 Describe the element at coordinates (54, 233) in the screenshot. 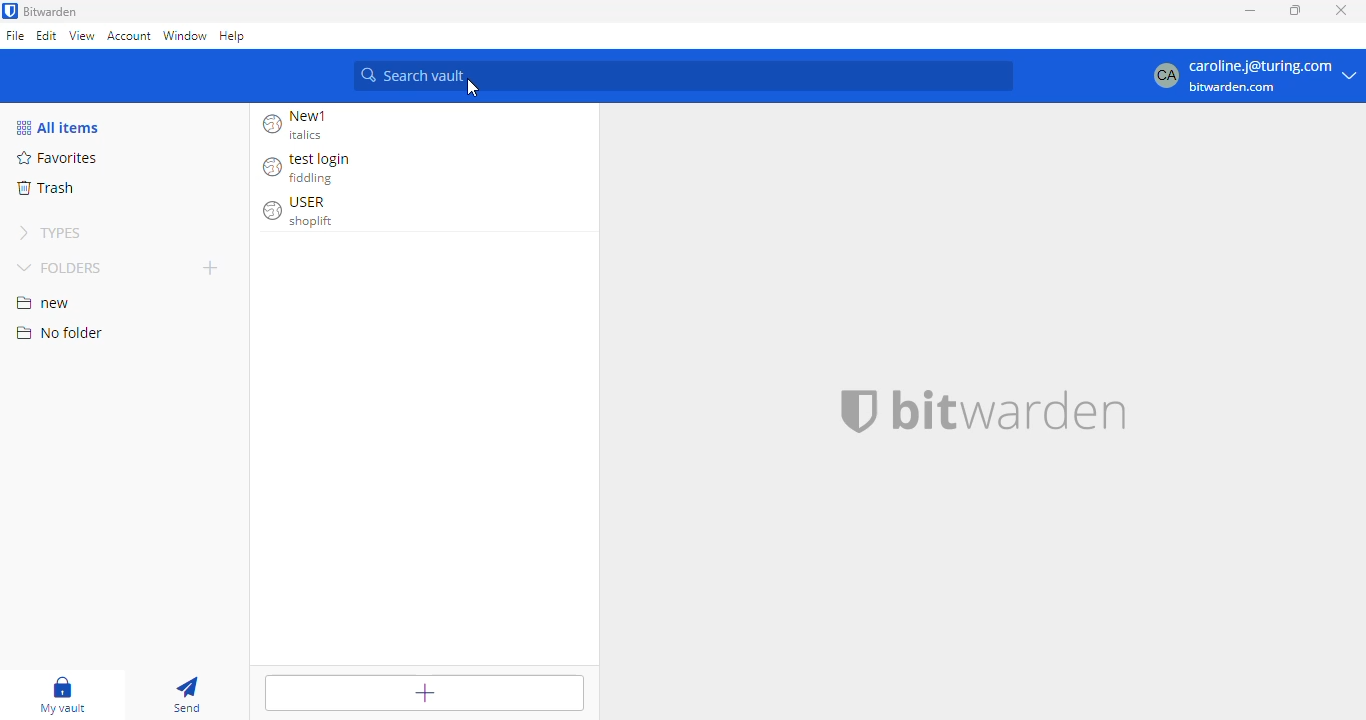

I see `types` at that location.